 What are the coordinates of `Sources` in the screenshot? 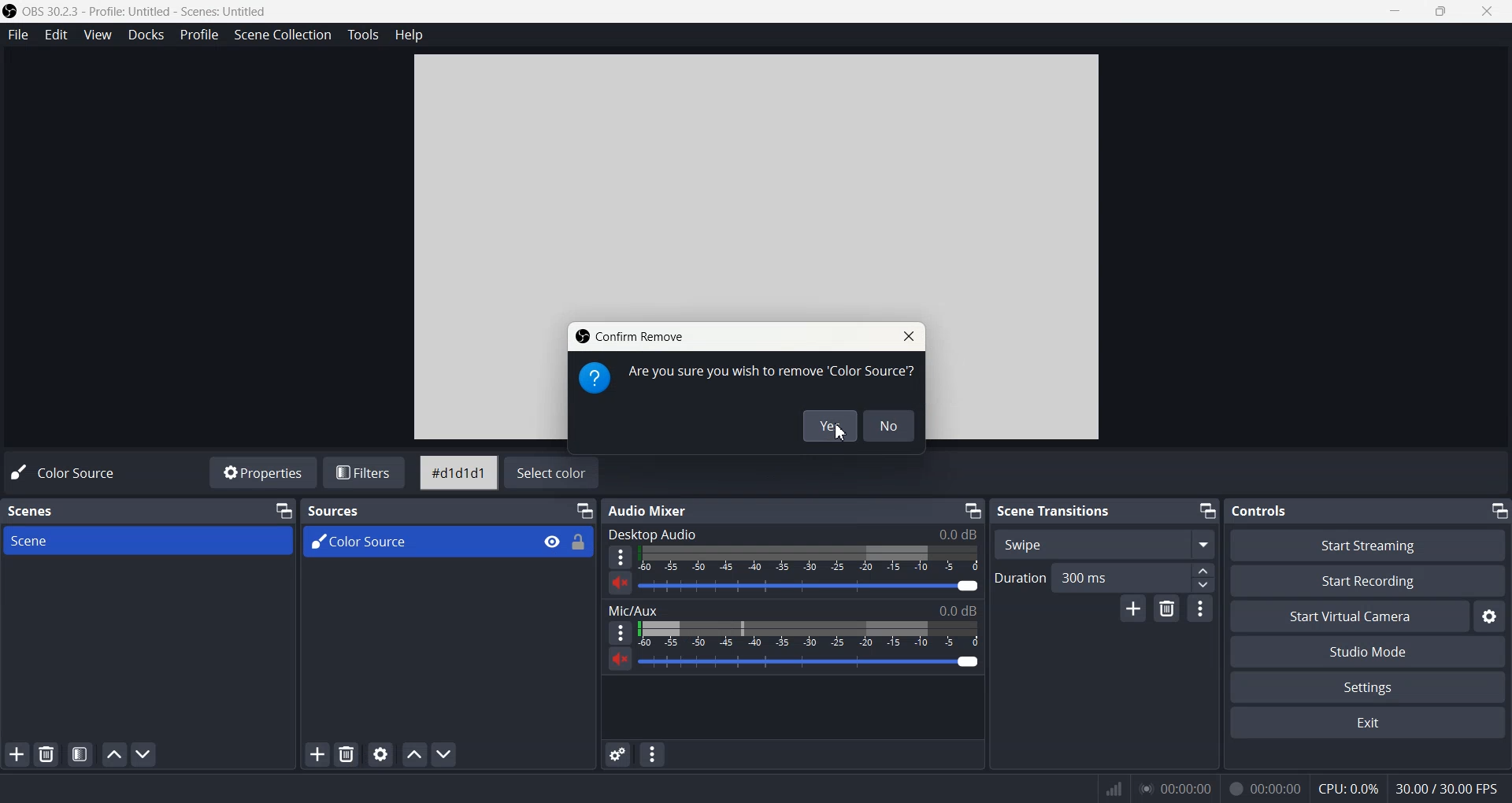 It's located at (335, 509).